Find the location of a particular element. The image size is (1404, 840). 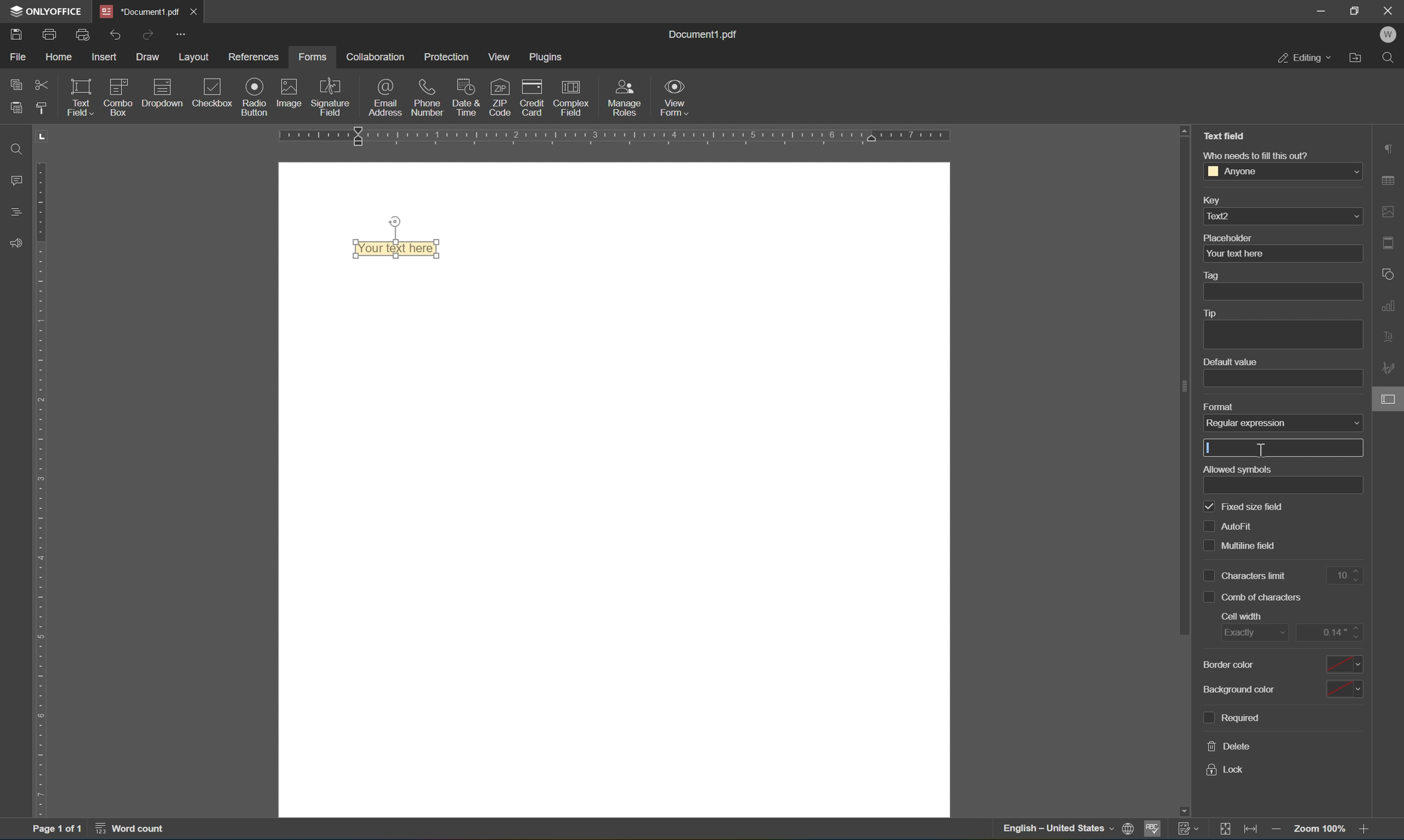

text art settings is located at coordinates (1388, 340).